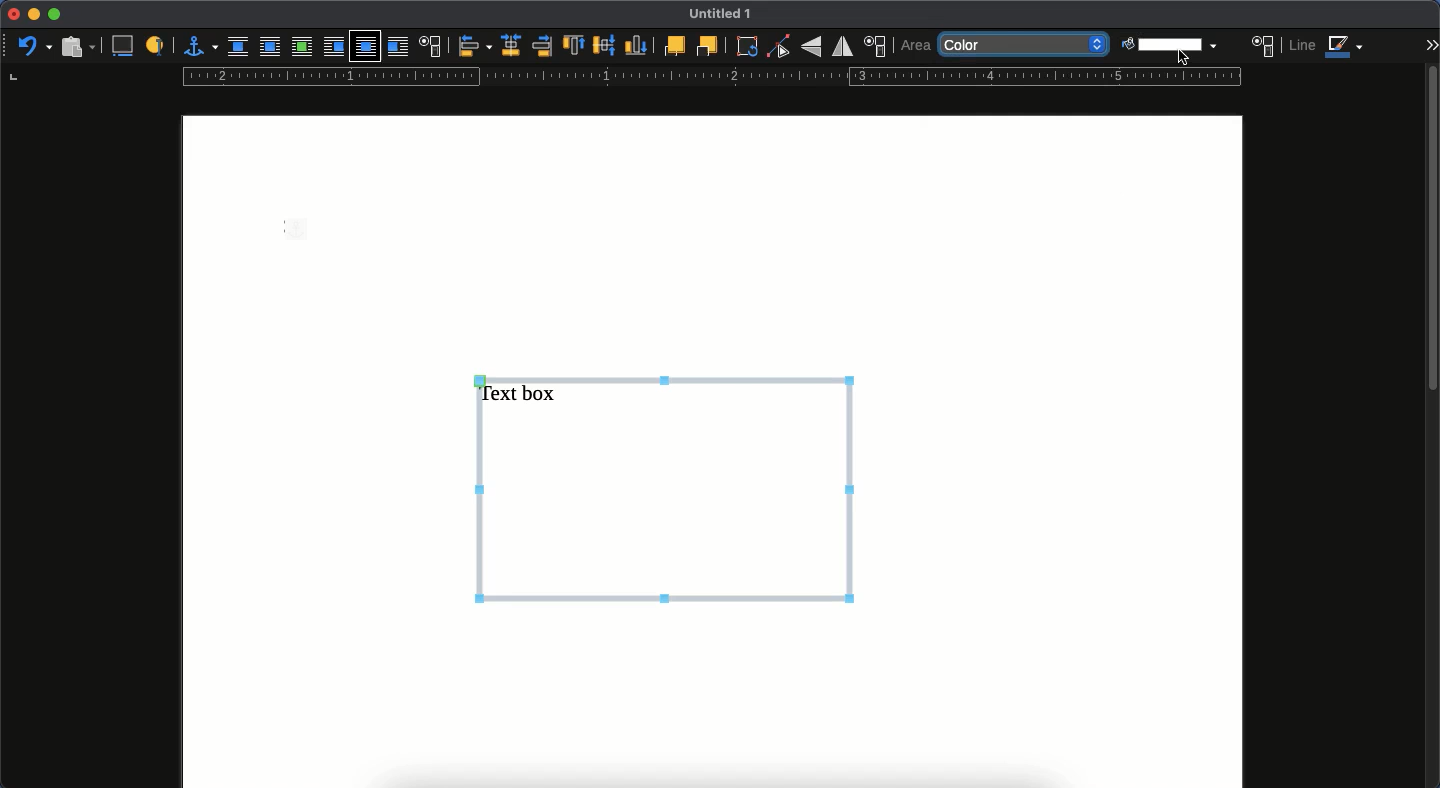 This screenshot has width=1440, height=788. Describe the element at coordinates (269, 49) in the screenshot. I see `parallel` at that location.